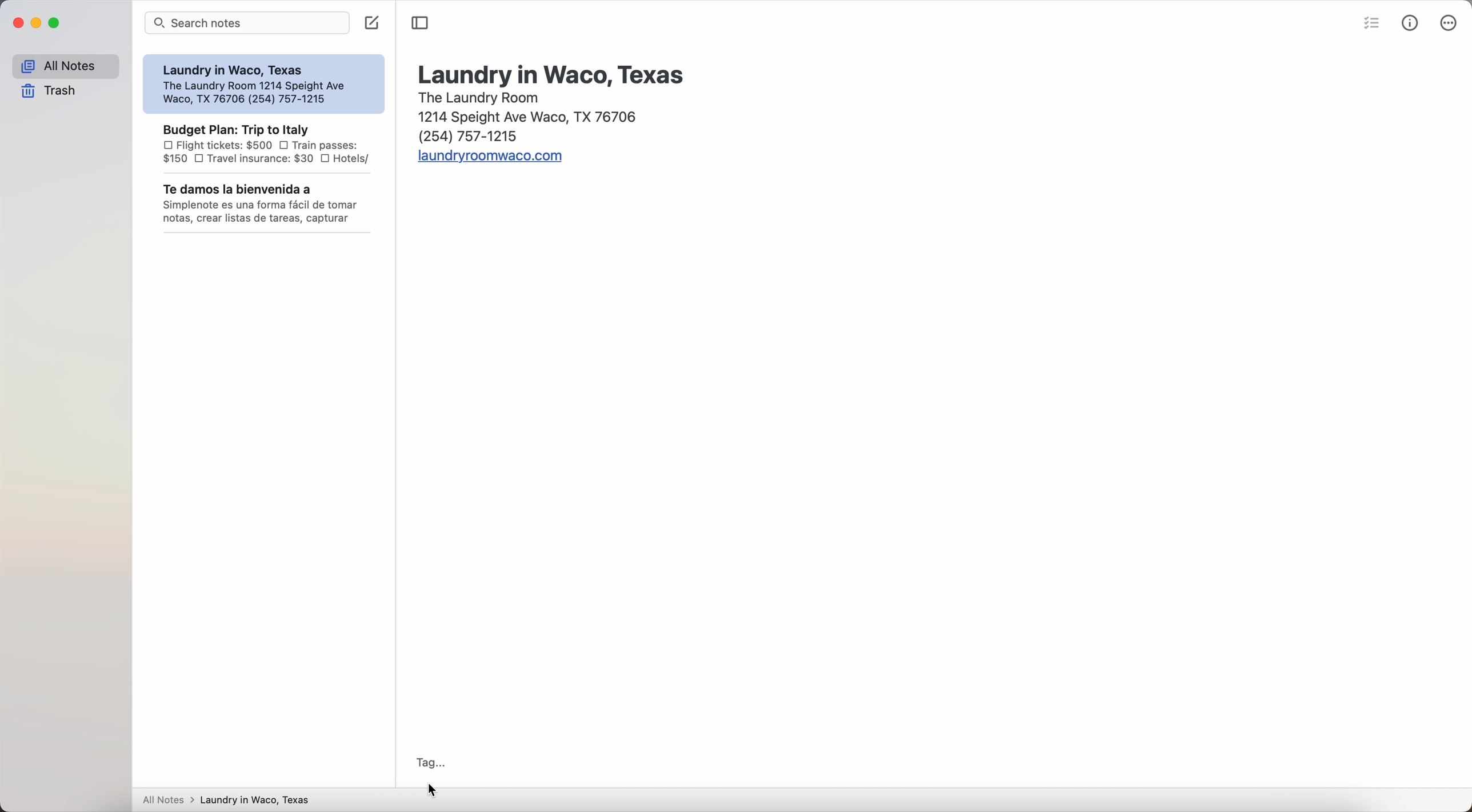  Describe the element at coordinates (549, 72) in the screenshot. I see `title: Laundry in Waco, Texas` at that location.